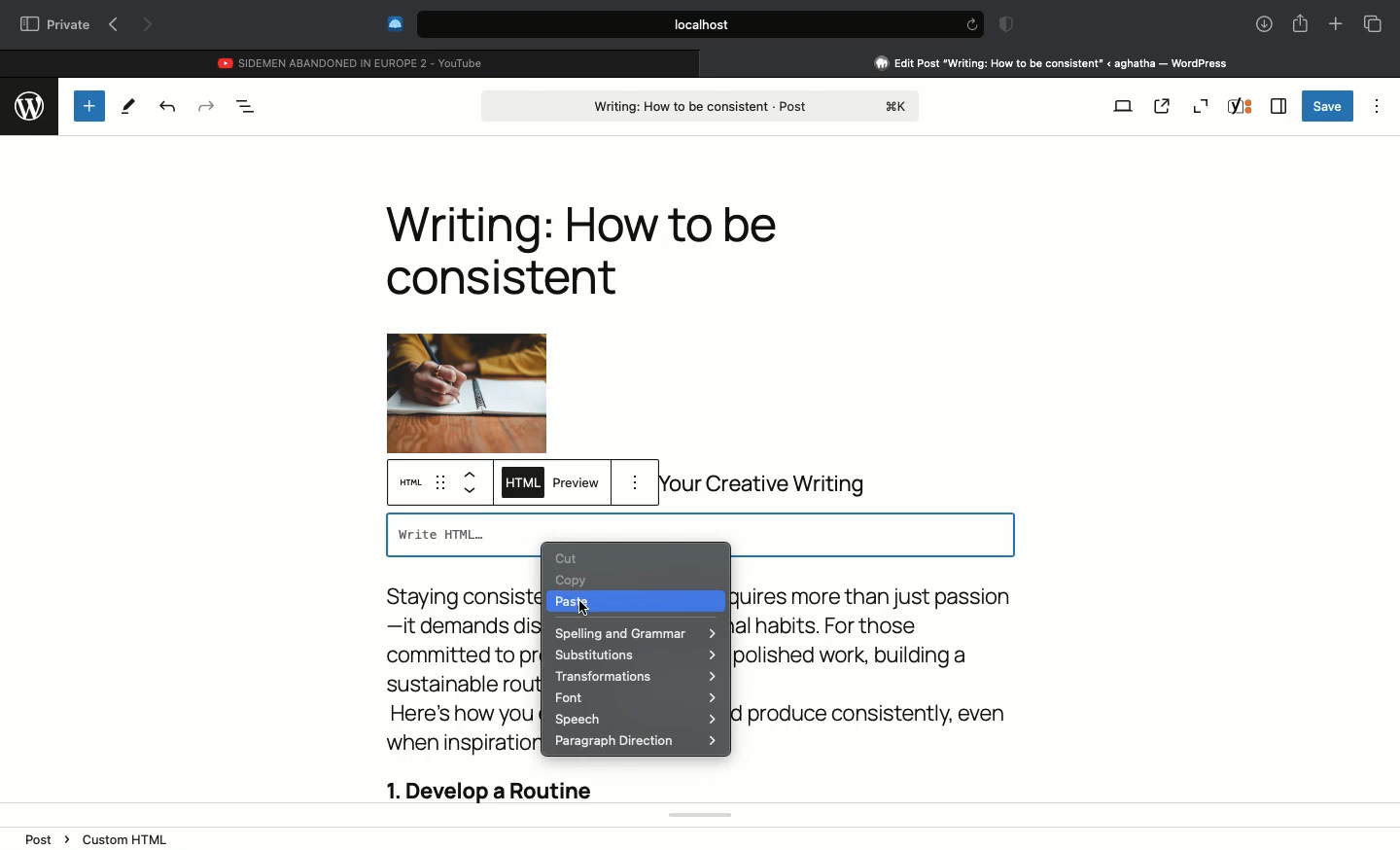  What do you see at coordinates (1124, 104) in the screenshot?
I see `View` at bounding box center [1124, 104].